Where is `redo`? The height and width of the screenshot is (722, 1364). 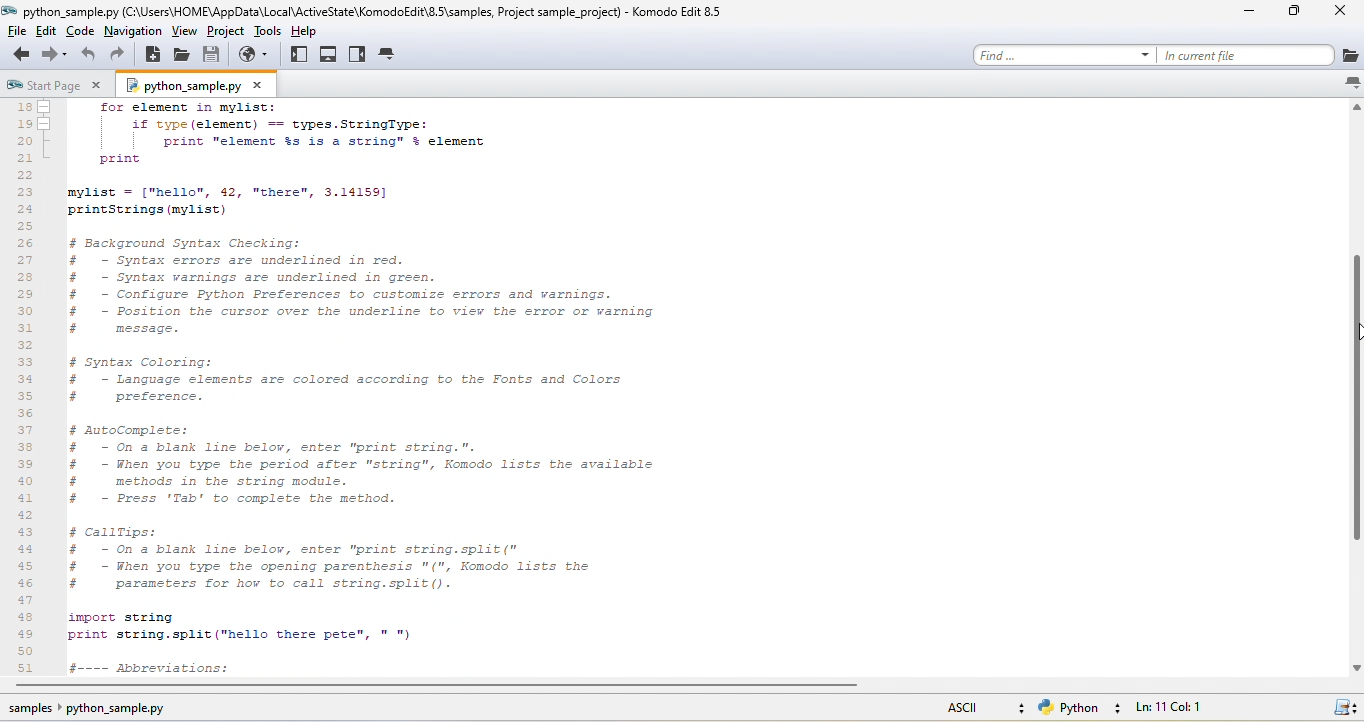
redo is located at coordinates (119, 55).